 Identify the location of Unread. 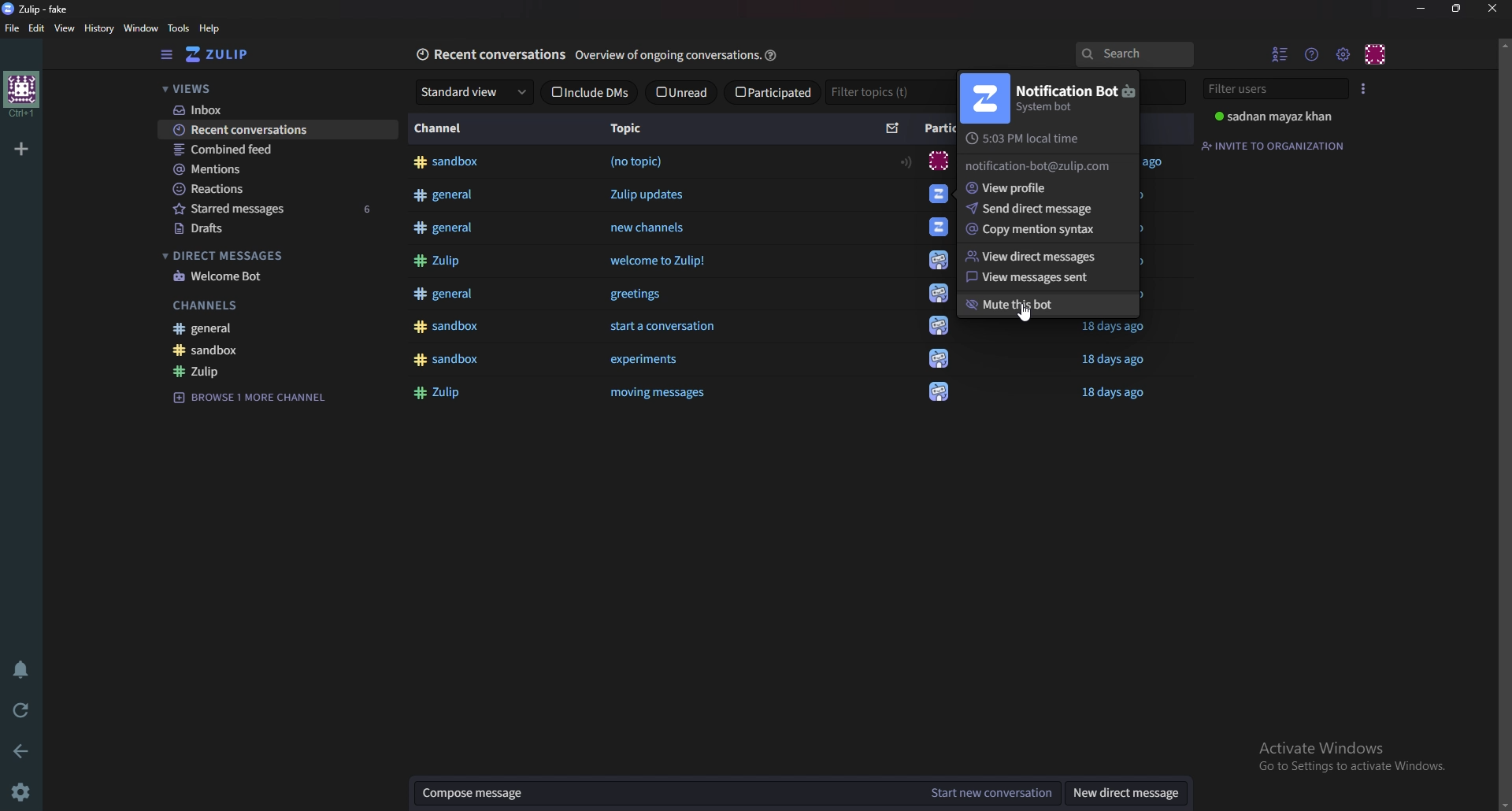
(679, 91).